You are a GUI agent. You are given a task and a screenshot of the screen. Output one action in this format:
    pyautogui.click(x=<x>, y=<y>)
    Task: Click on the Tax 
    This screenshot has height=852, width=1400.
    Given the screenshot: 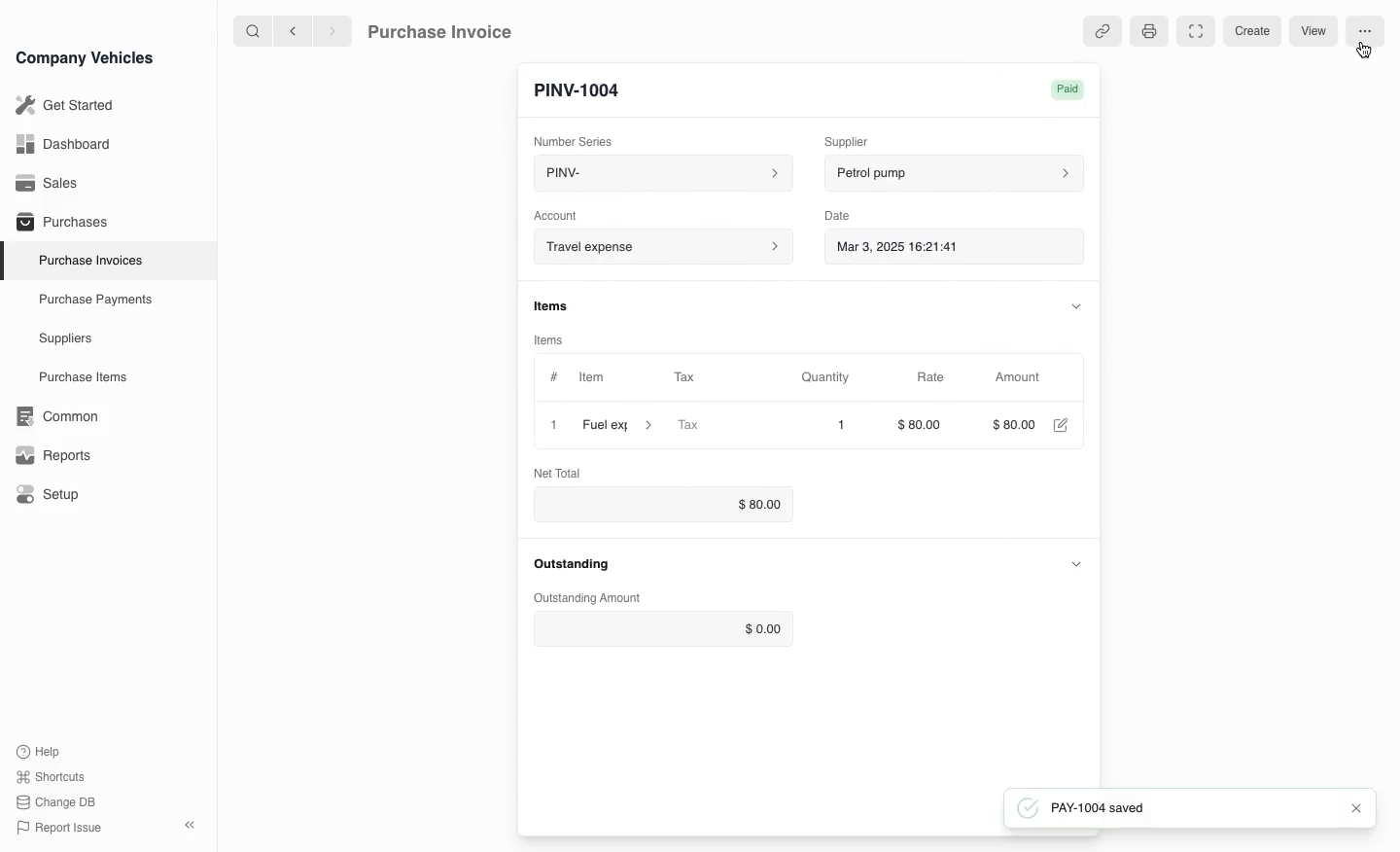 What is the action you would take?
    pyautogui.click(x=711, y=425)
    